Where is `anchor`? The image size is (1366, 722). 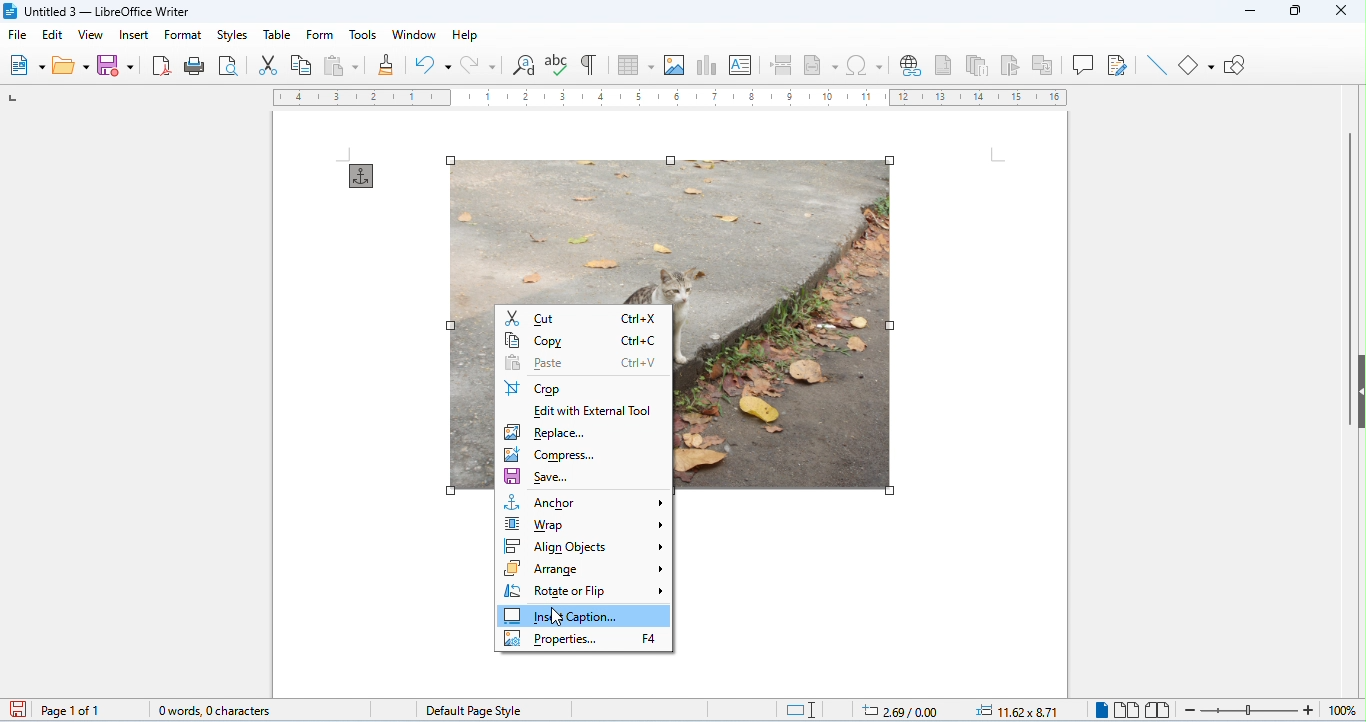 anchor is located at coordinates (586, 503).